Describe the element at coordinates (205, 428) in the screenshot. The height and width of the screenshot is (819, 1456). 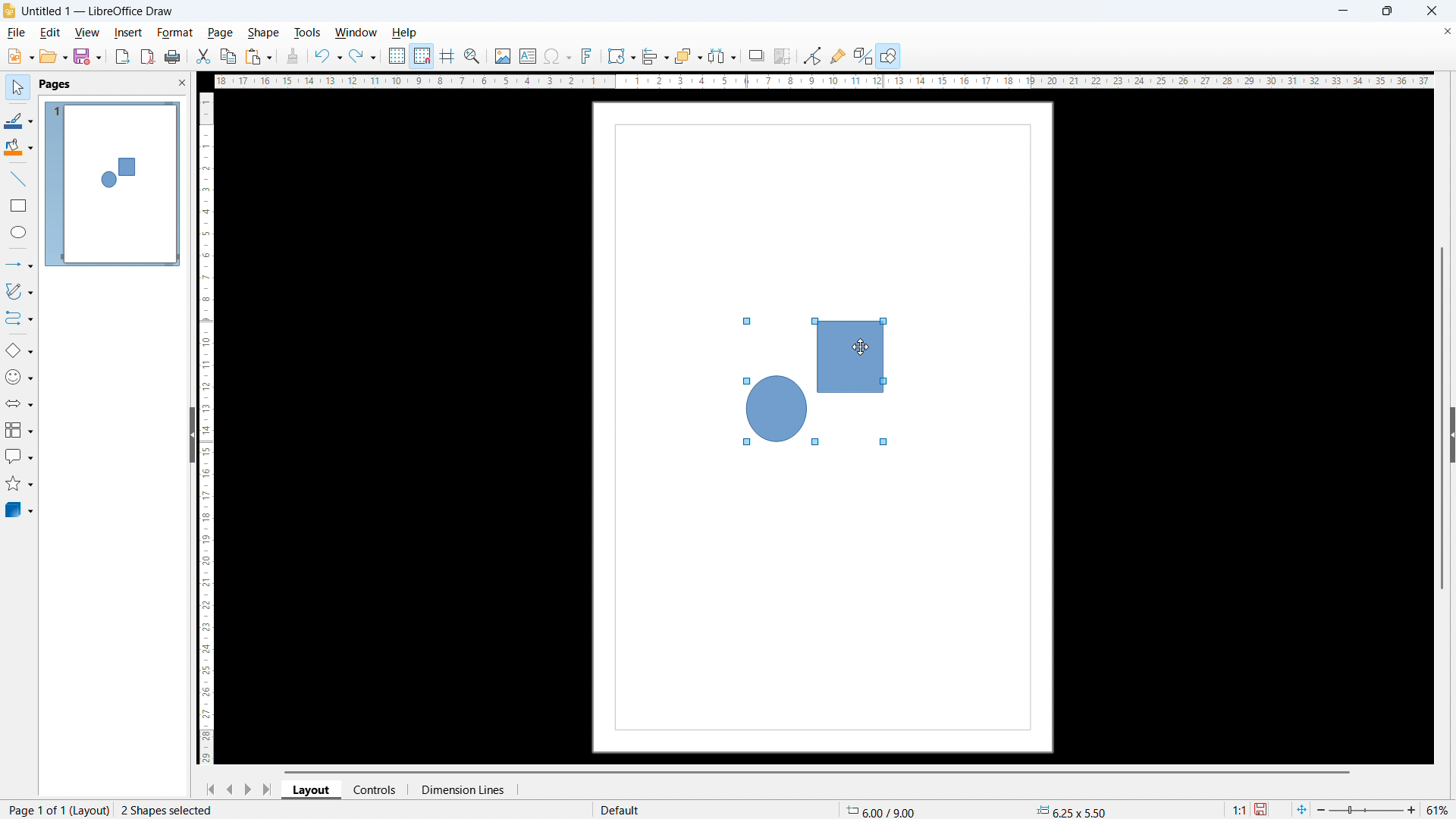
I see `vertical ruler` at that location.